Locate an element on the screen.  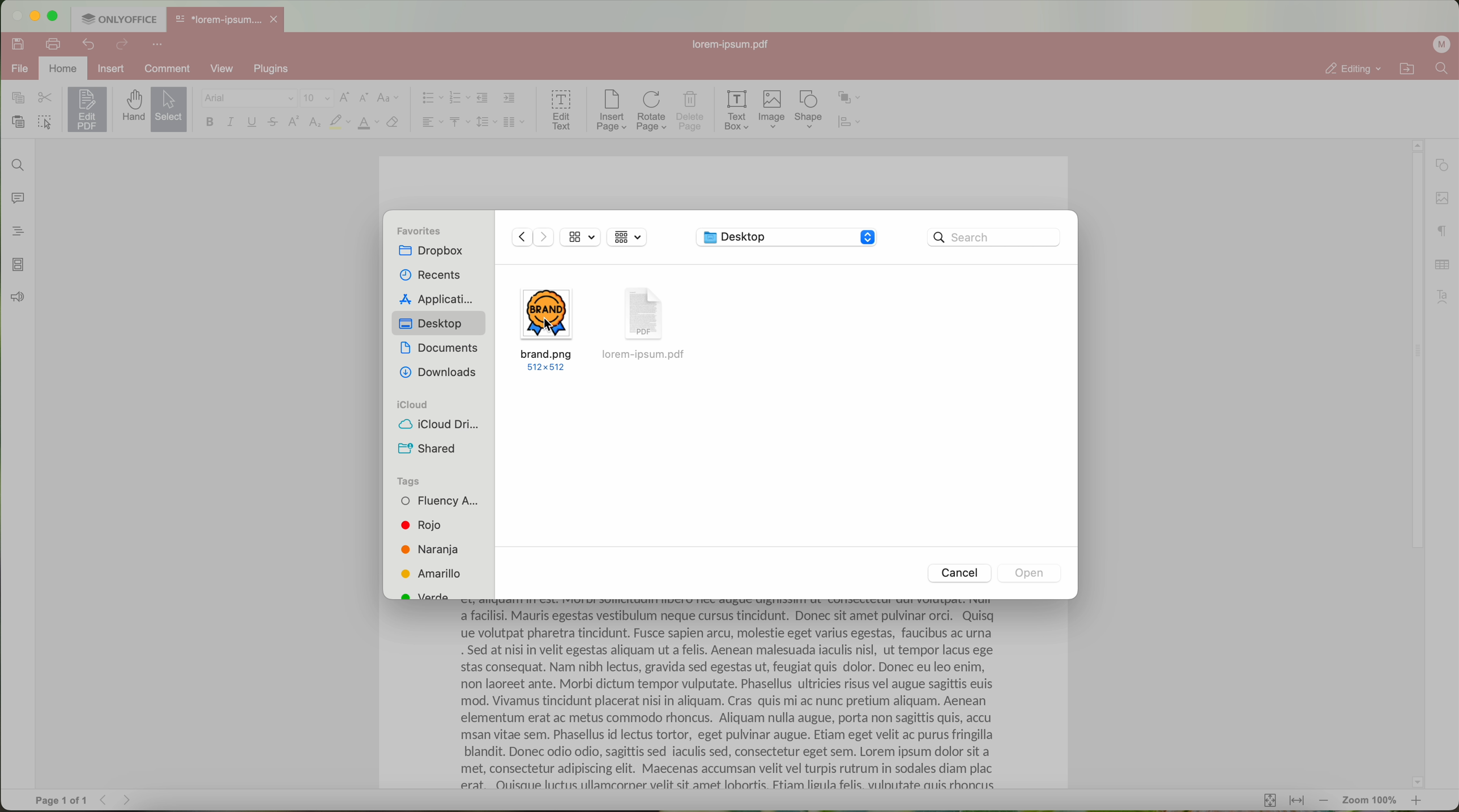
icloud is located at coordinates (412, 404).